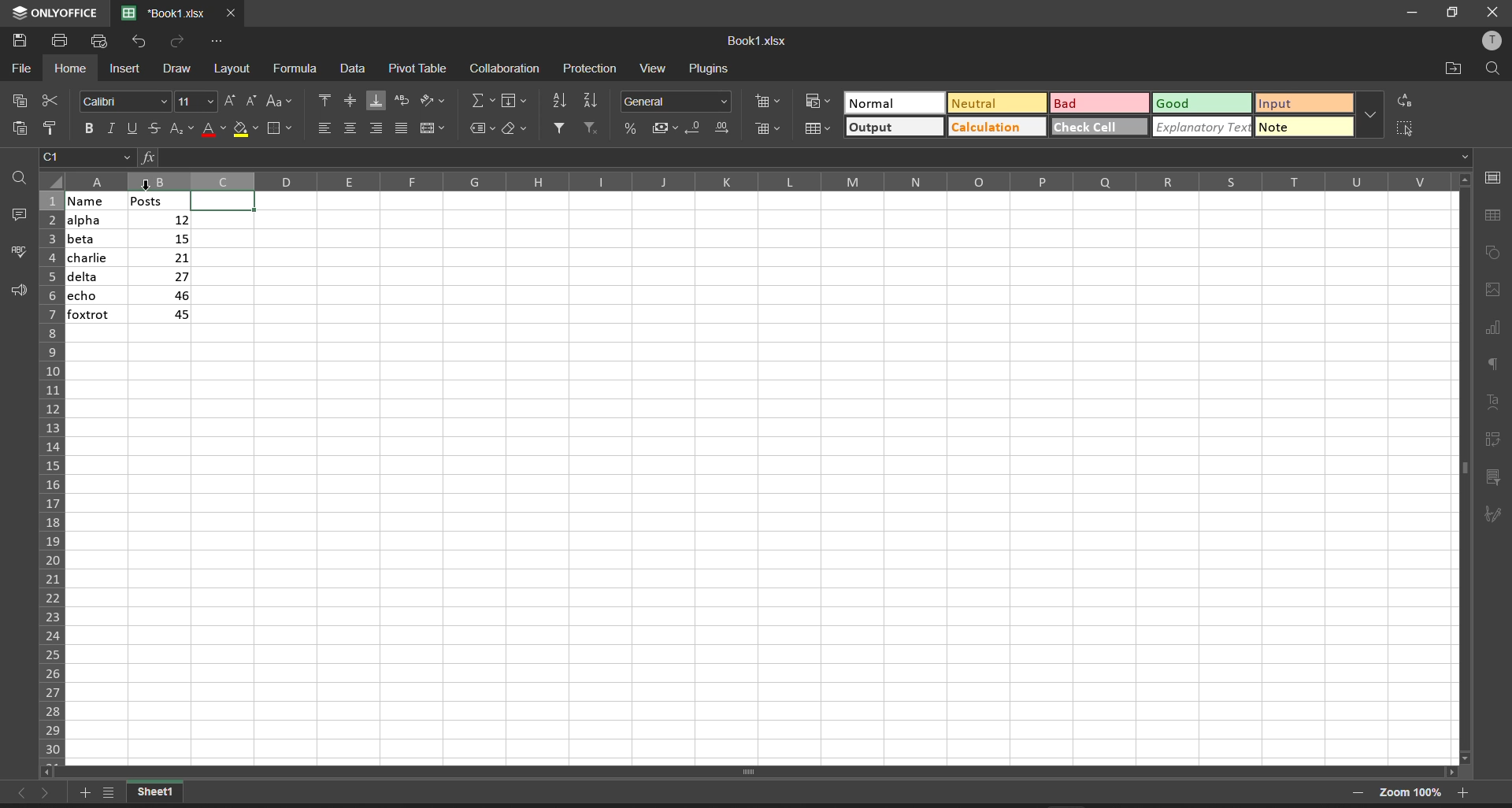 Image resolution: width=1512 pixels, height=808 pixels. I want to click on find, so click(22, 178).